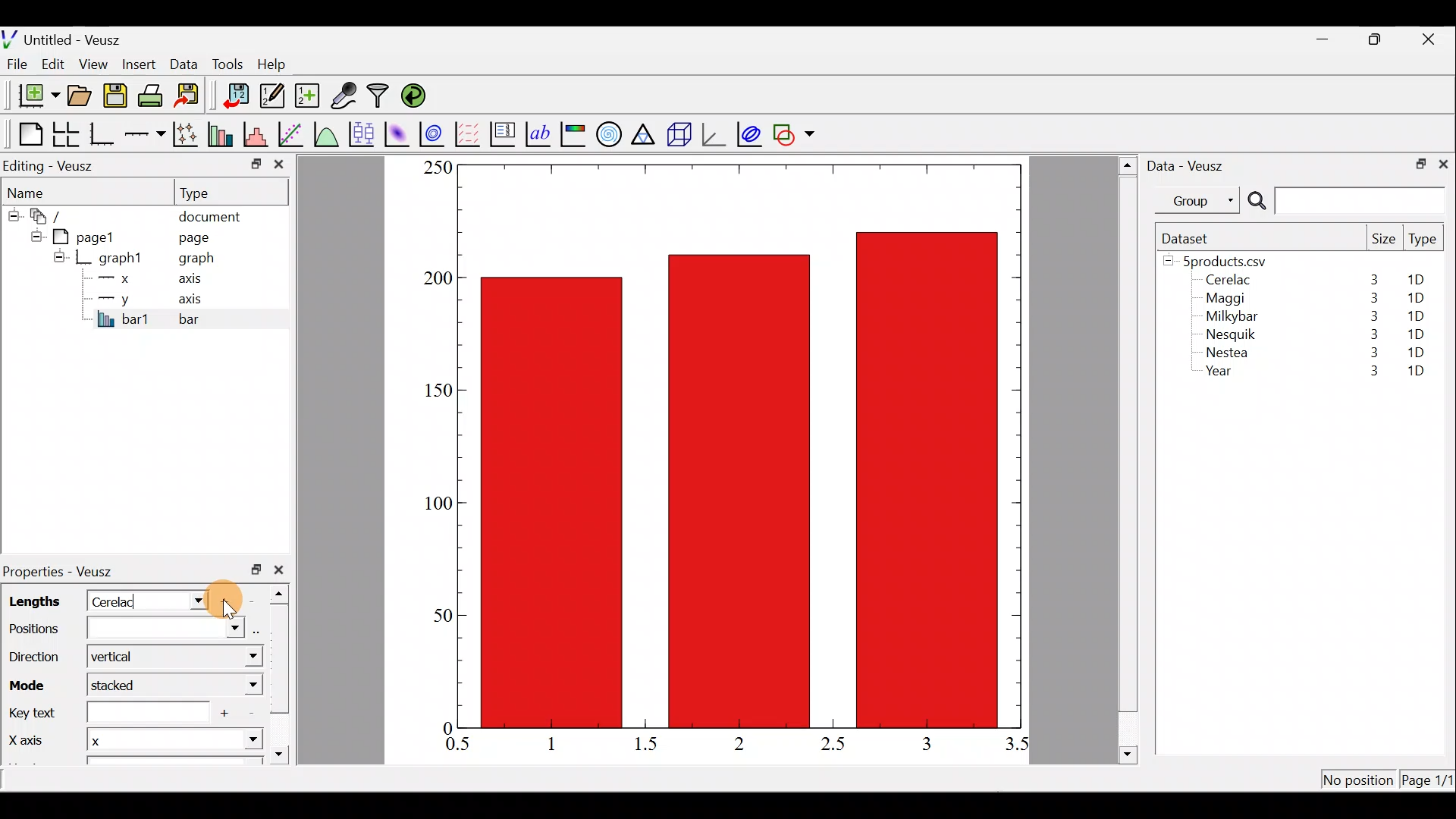 The image size is (1456, 819). What do you see at coordinates (81, 97) in the screenshot?
I see `Open a document` at bounding box center [81, 97].